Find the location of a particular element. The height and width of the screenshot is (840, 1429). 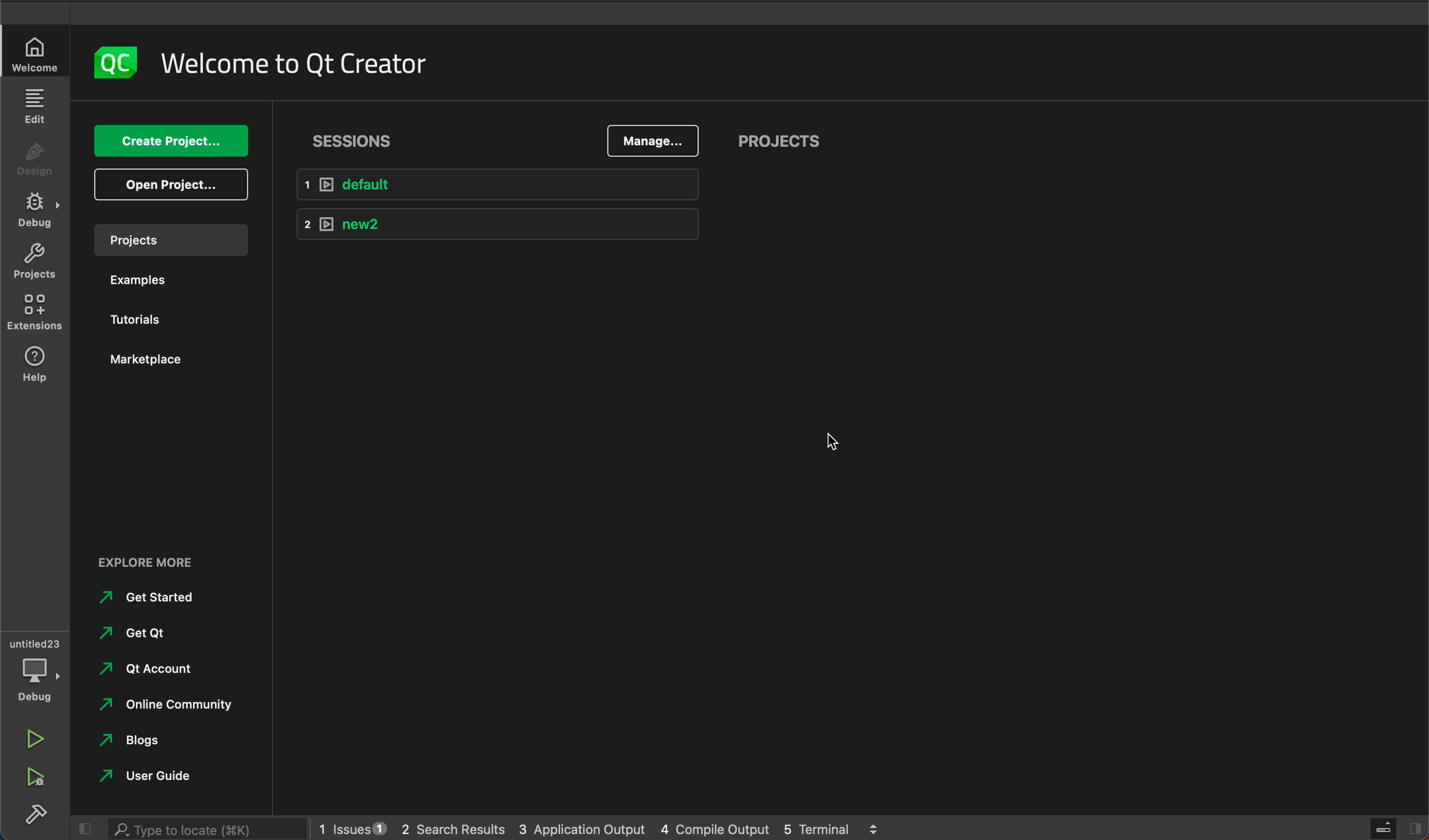

qt account is located at coordinates (157, 667).